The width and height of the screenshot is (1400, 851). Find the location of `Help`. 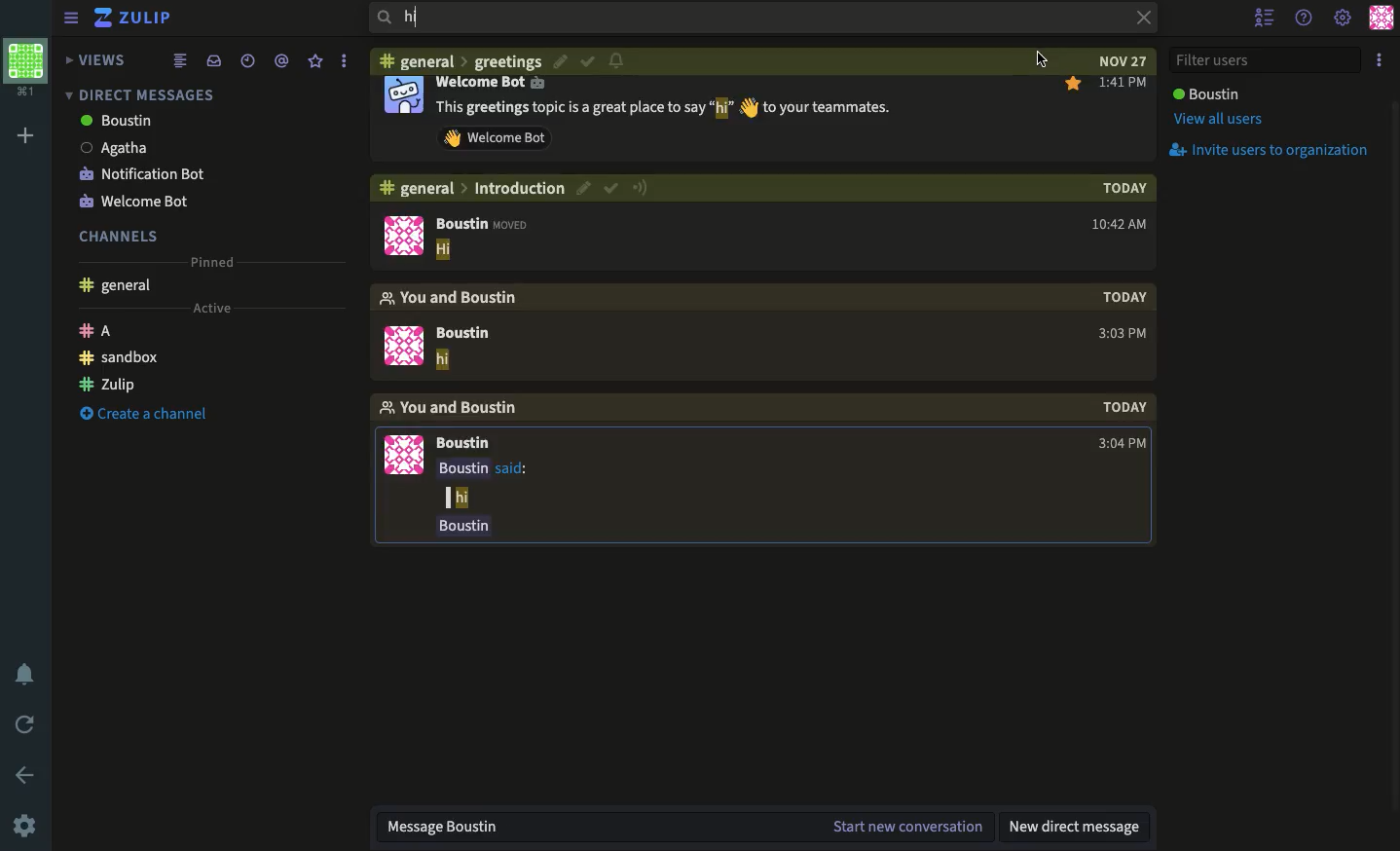

Help is located at coordinates (1305, 18).